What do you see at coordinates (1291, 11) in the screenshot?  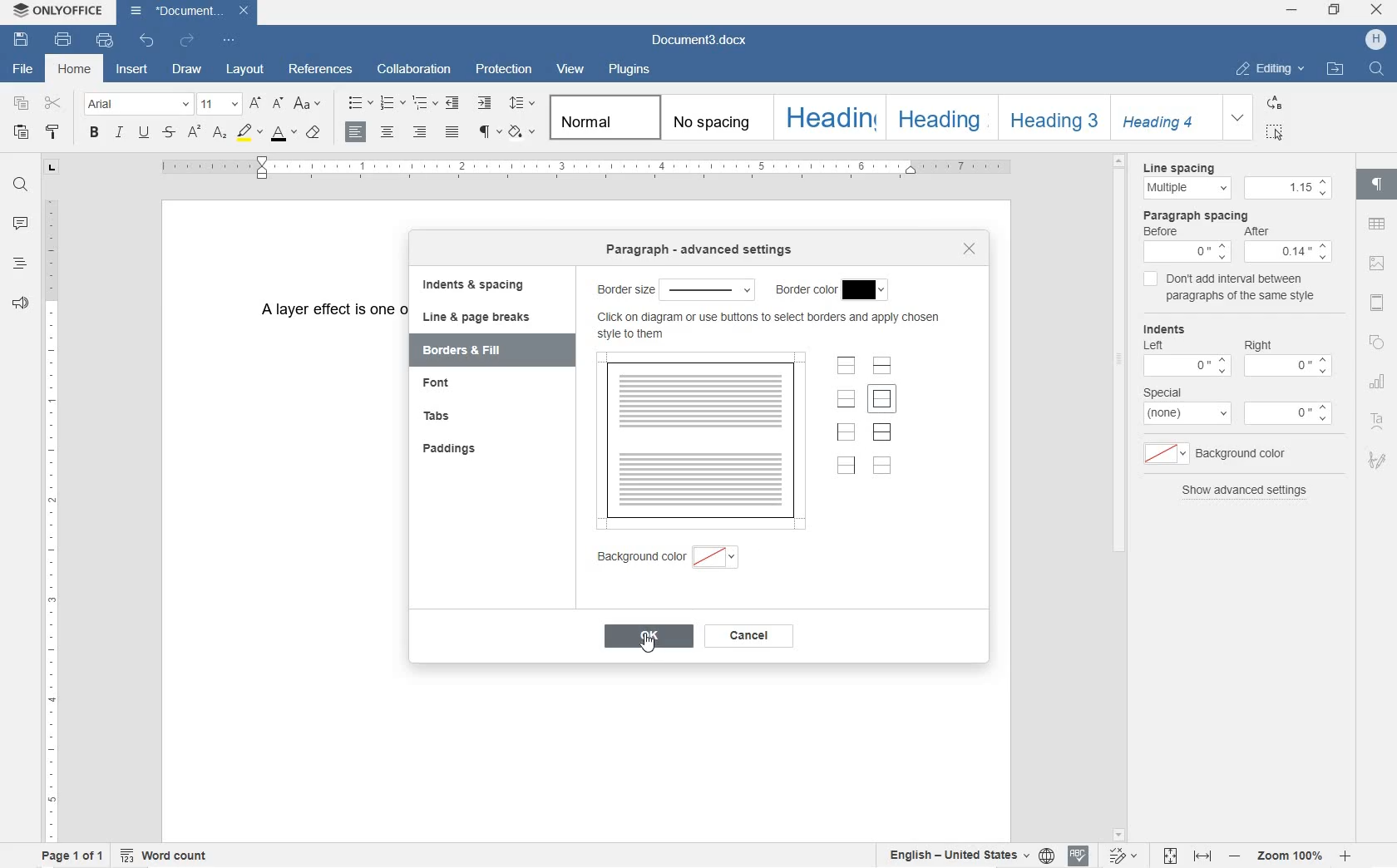 I see `MINIMIZE` at bounding box center [1291, 11].